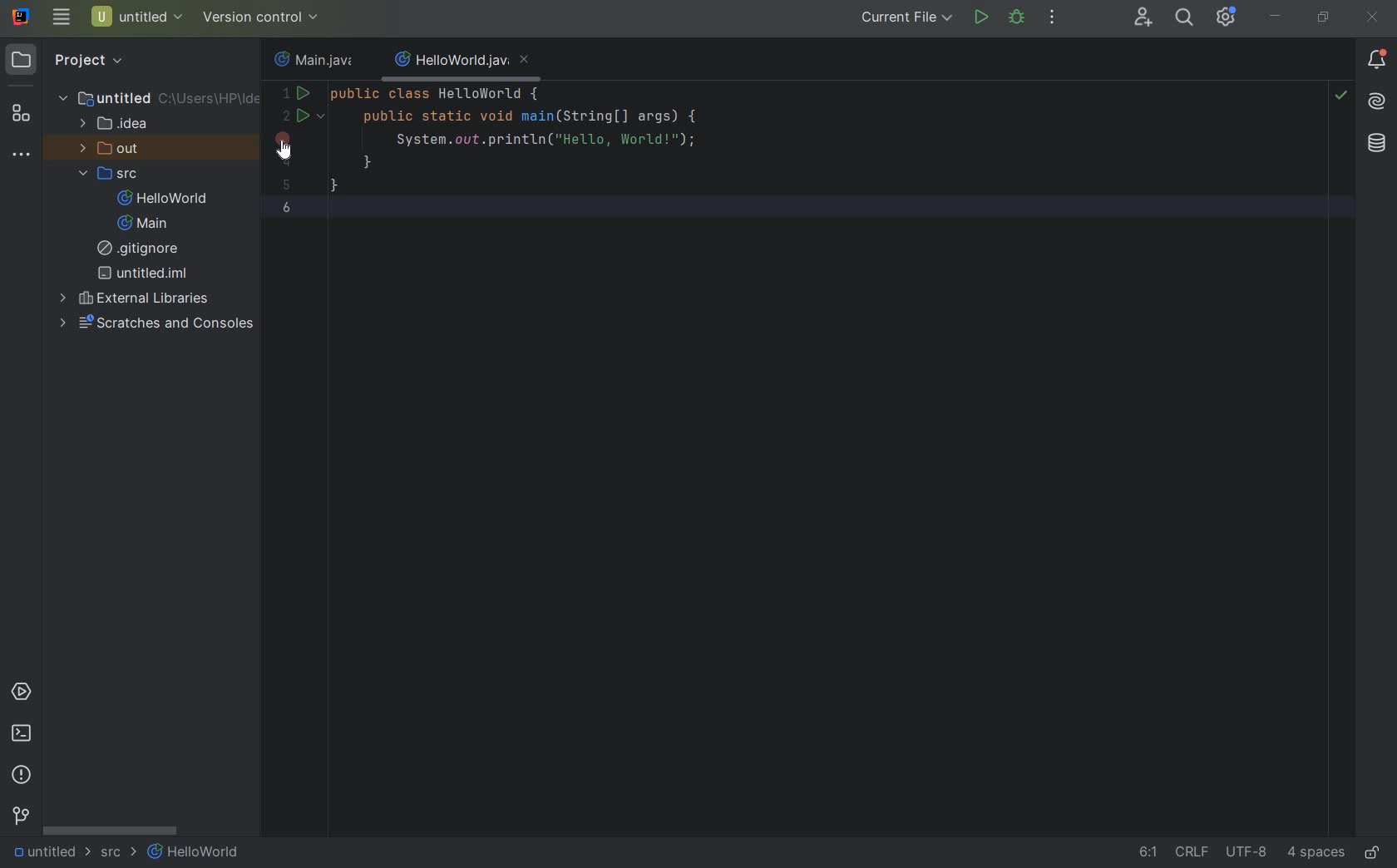  What do you see at coordinates (43, 853) in the screenshot?
I see `untitled` at bounding box center [43, 853].